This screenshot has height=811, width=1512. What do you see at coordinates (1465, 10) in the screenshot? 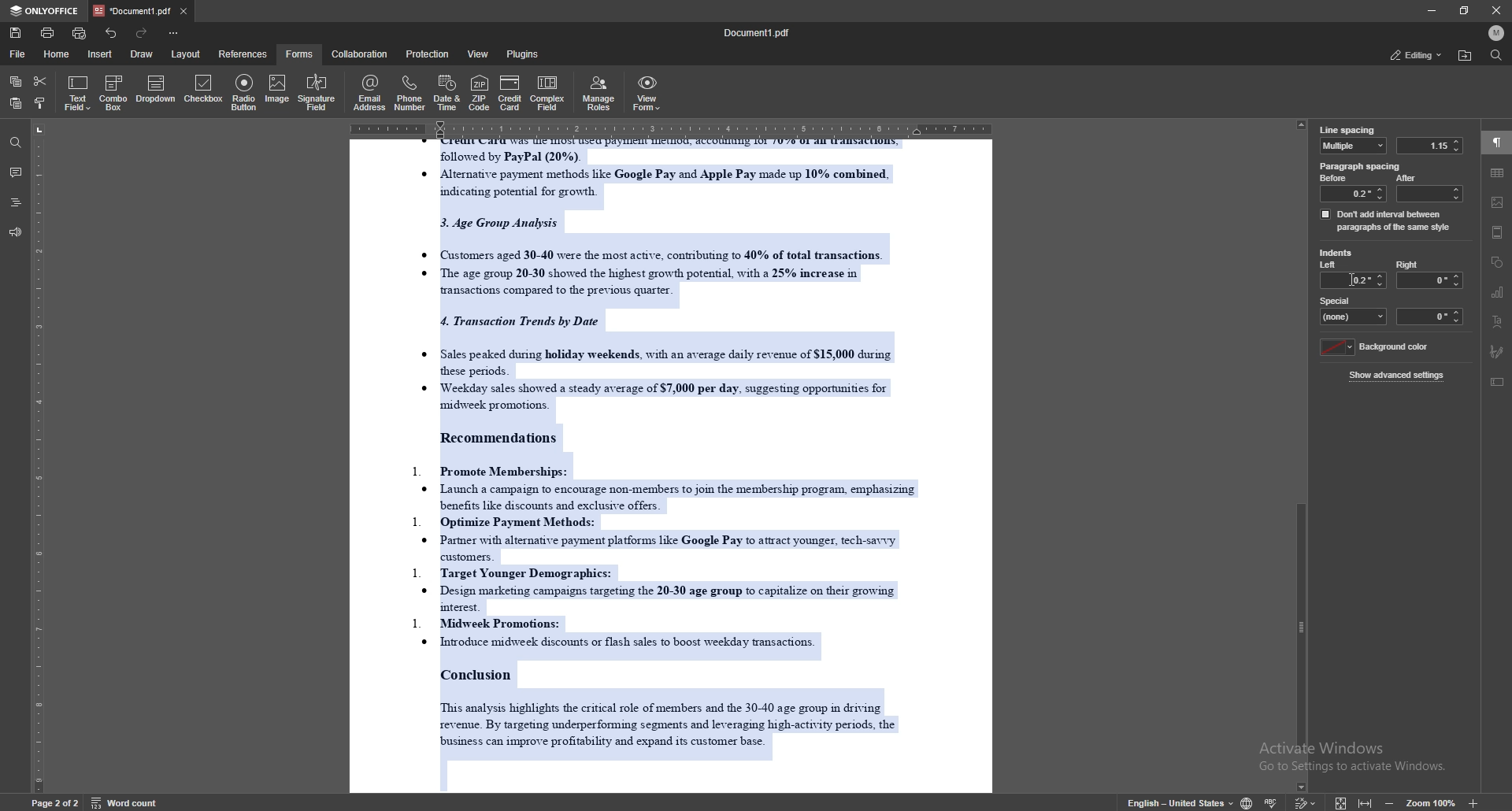
I see `resize` at bounding box center [1465, 10].